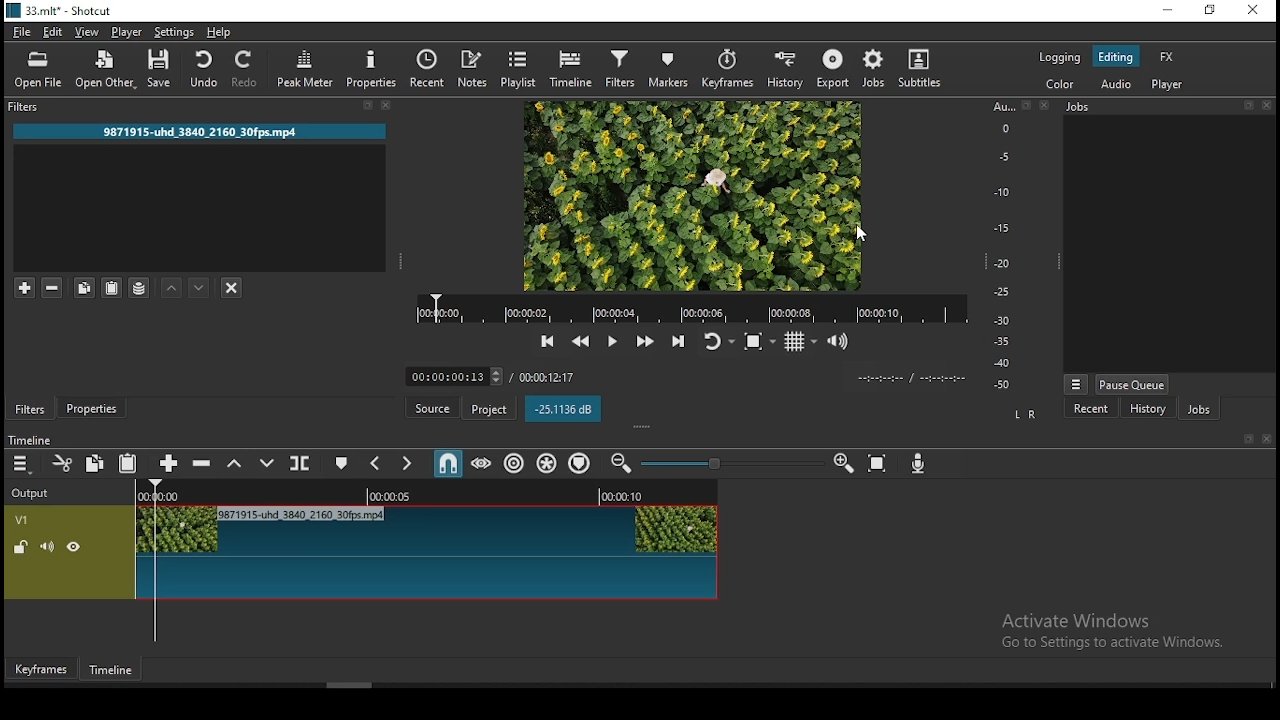 The width and height of the screenshot is (1280, 720). Describe the element at coordinates (915, 465) in the screenshot. I see `record audio` at that location.